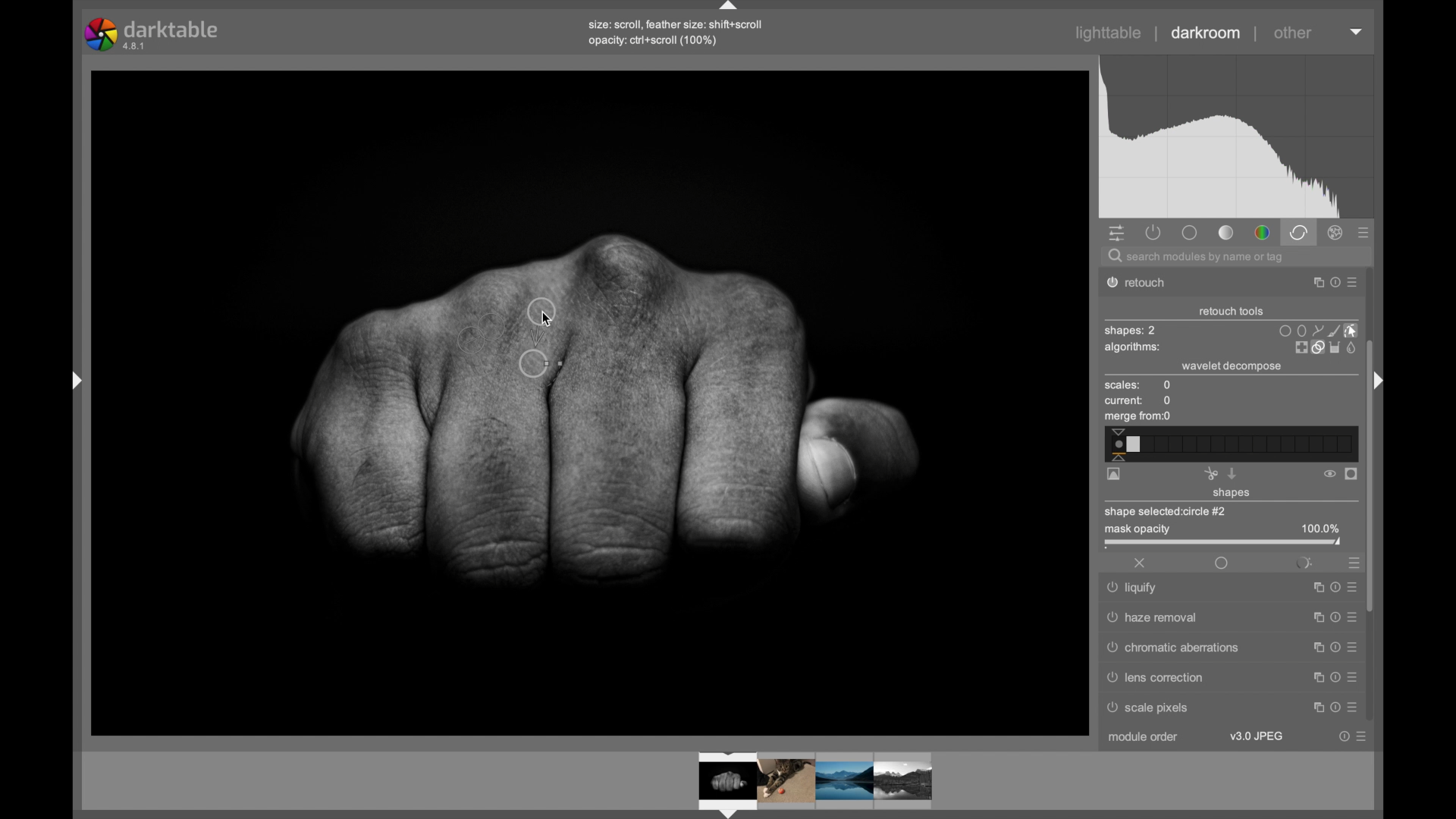 Image resolution: width=1456 pixels, height=819 pixels. I want to click on color, so click(1262, 234).